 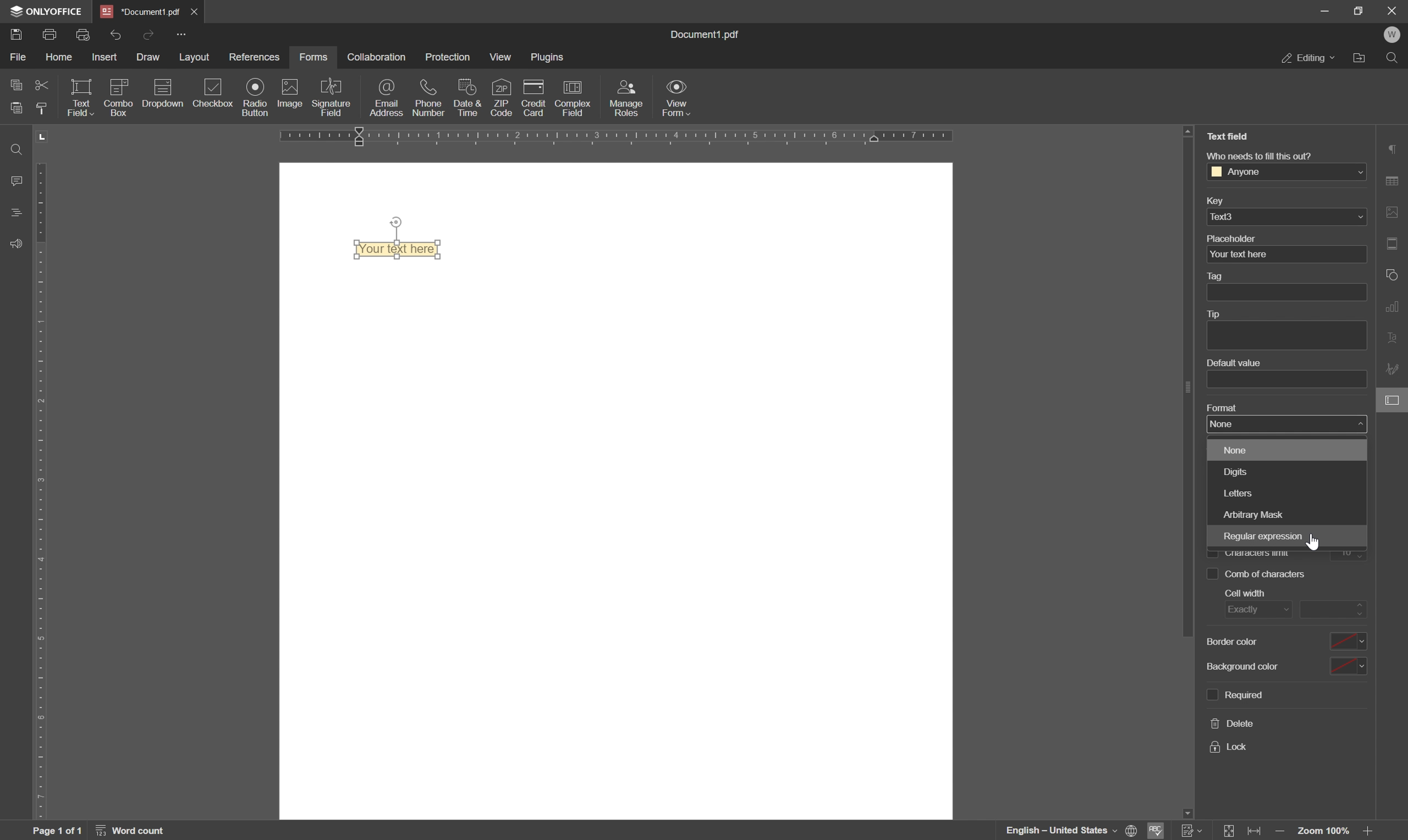 What do you see at coordinates (1254, 611) in the screenshot?
I see `exactly` at bounding box center [1254, 611].